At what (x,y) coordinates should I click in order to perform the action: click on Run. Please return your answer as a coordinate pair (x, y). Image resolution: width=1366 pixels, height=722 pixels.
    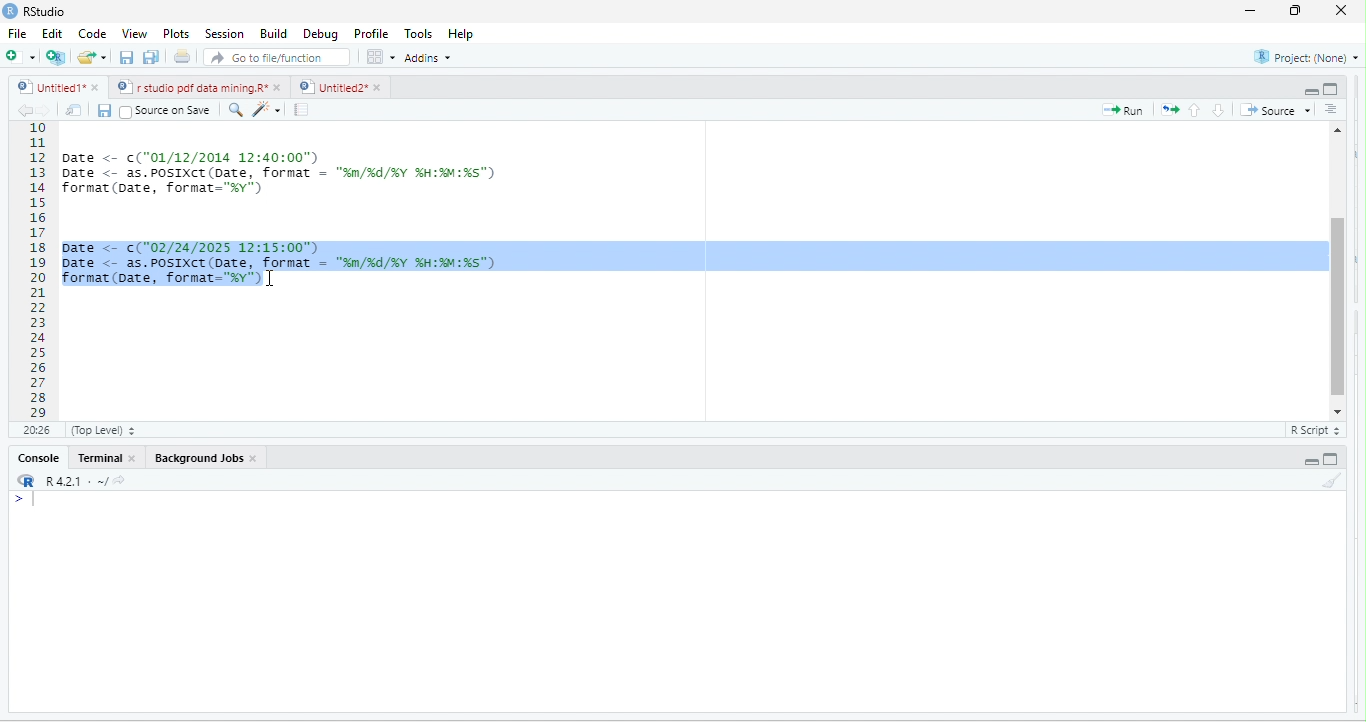
    Looking at the image, I should click on (1127, 111).